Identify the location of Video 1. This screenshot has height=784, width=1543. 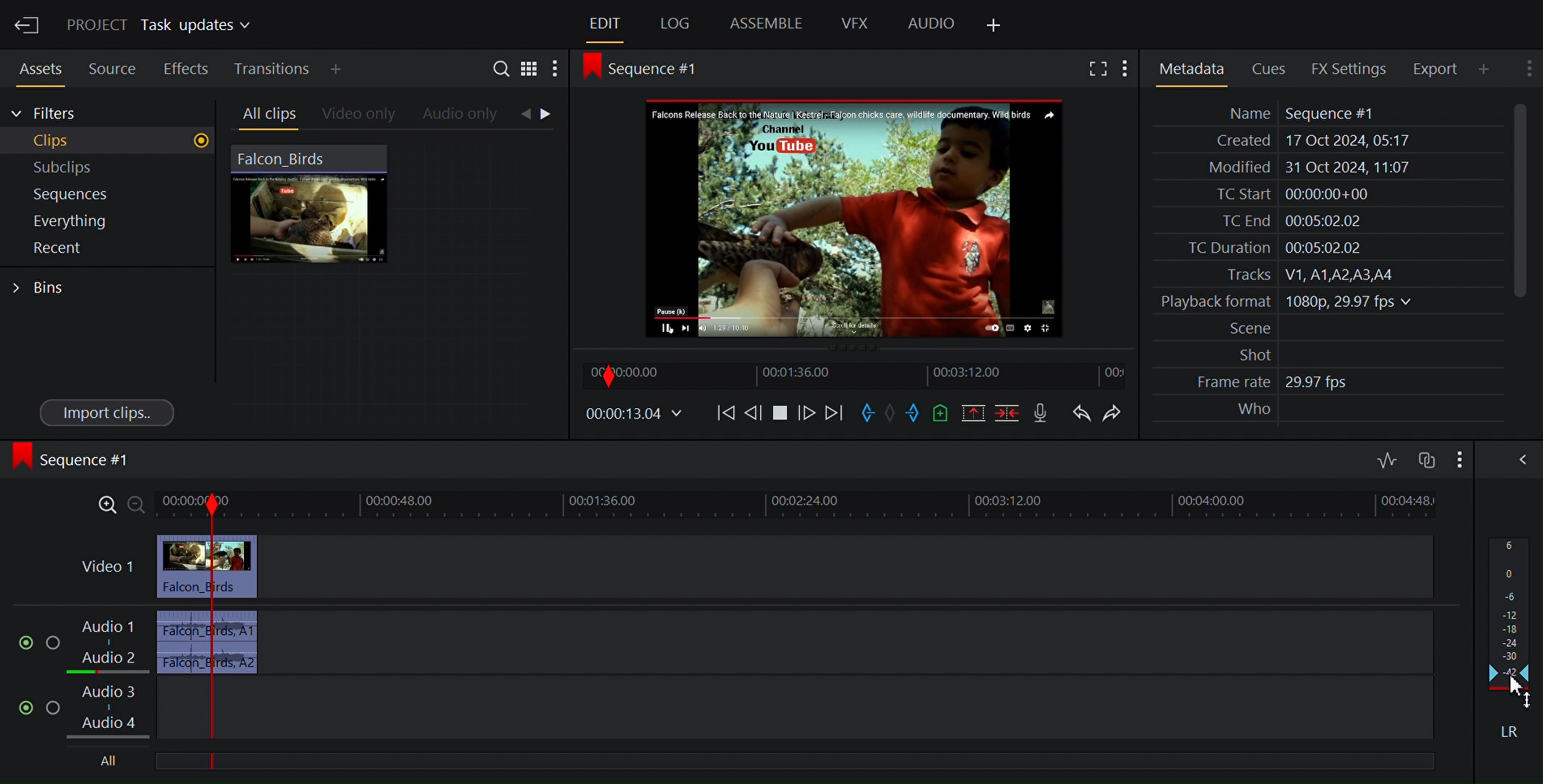
(105, 568).